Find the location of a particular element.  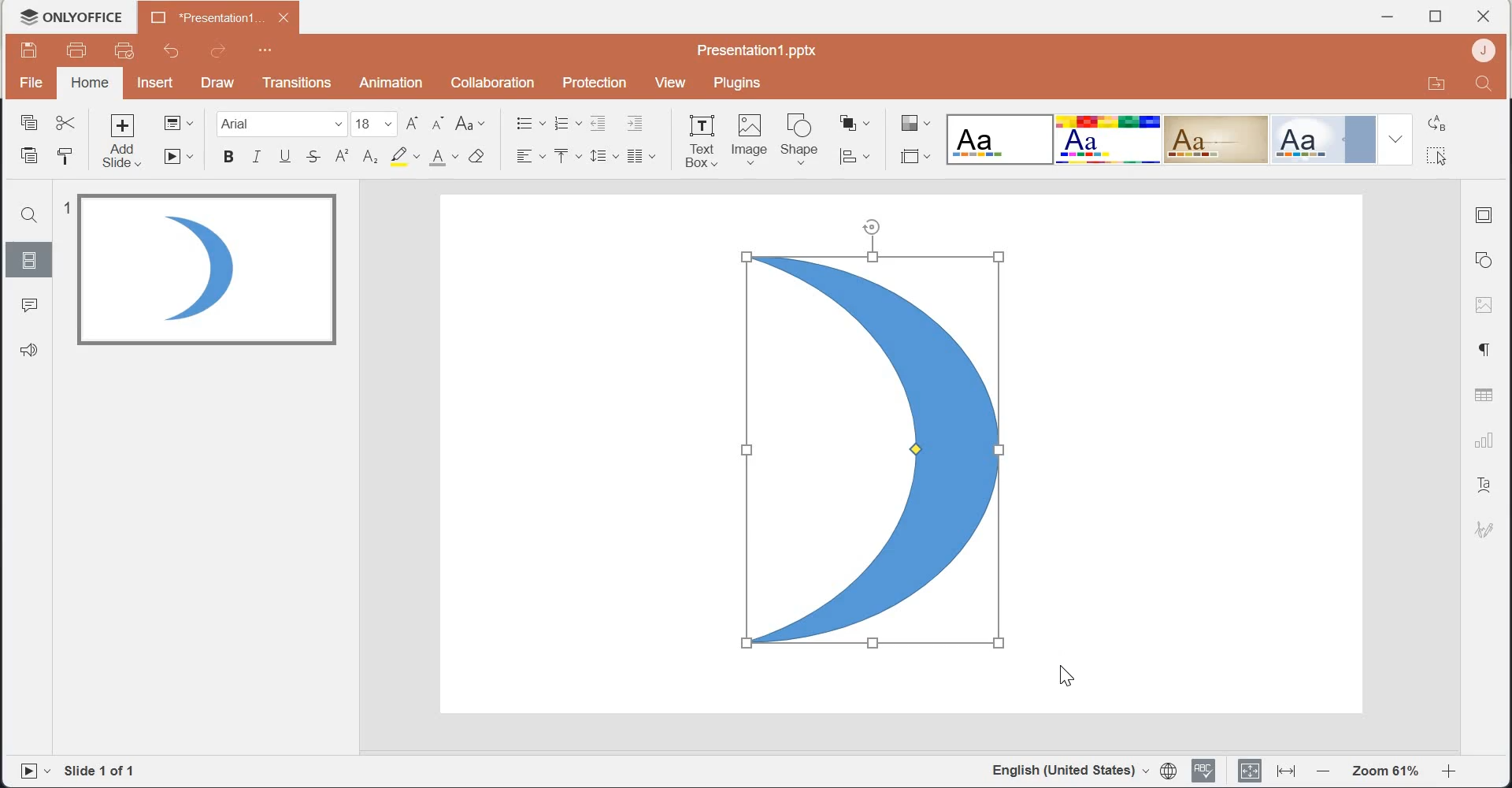

Spell checking is located at coordinates (1206, 771).